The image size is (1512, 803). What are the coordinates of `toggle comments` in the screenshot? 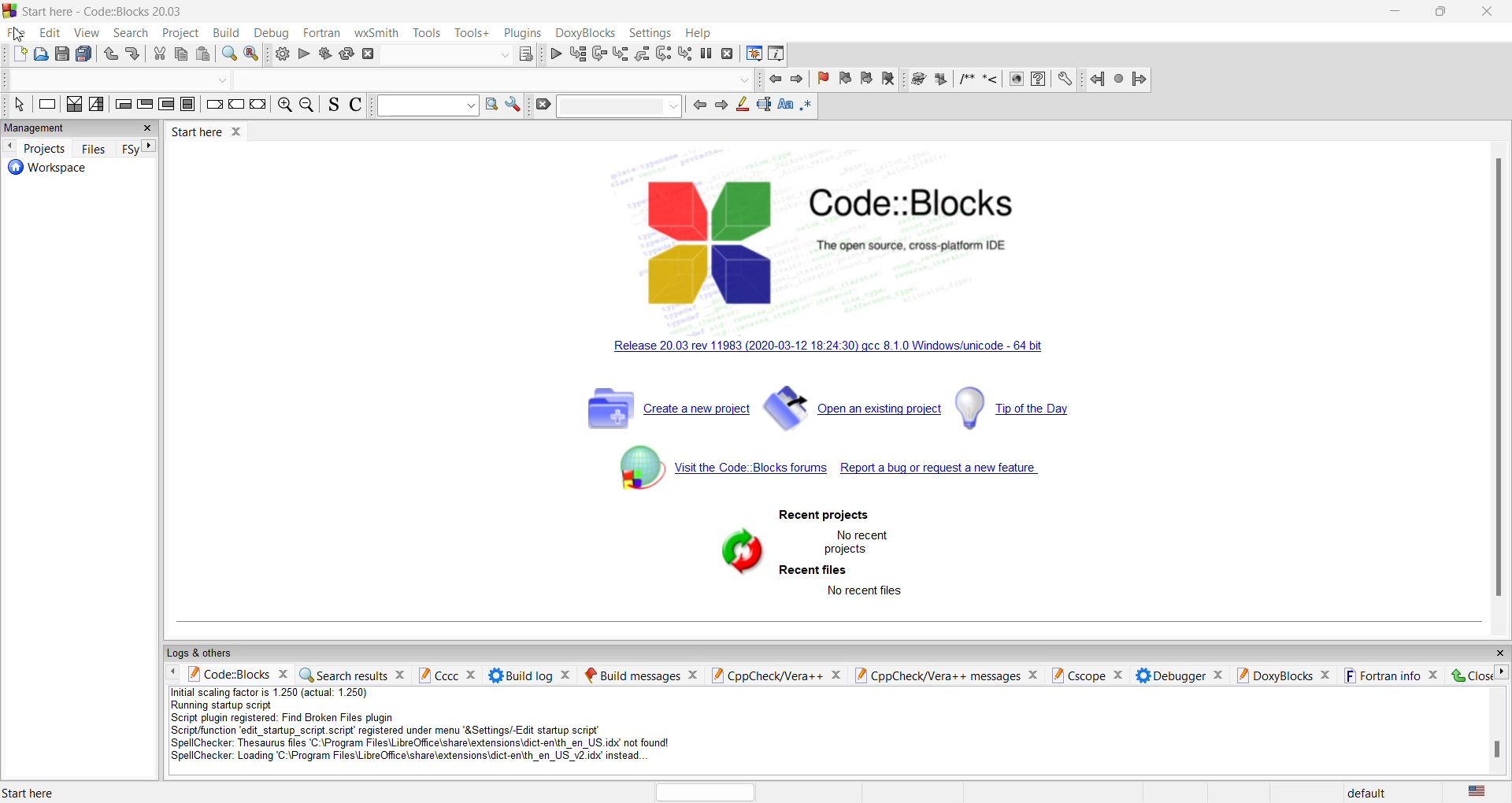 It's located at (358, 106).